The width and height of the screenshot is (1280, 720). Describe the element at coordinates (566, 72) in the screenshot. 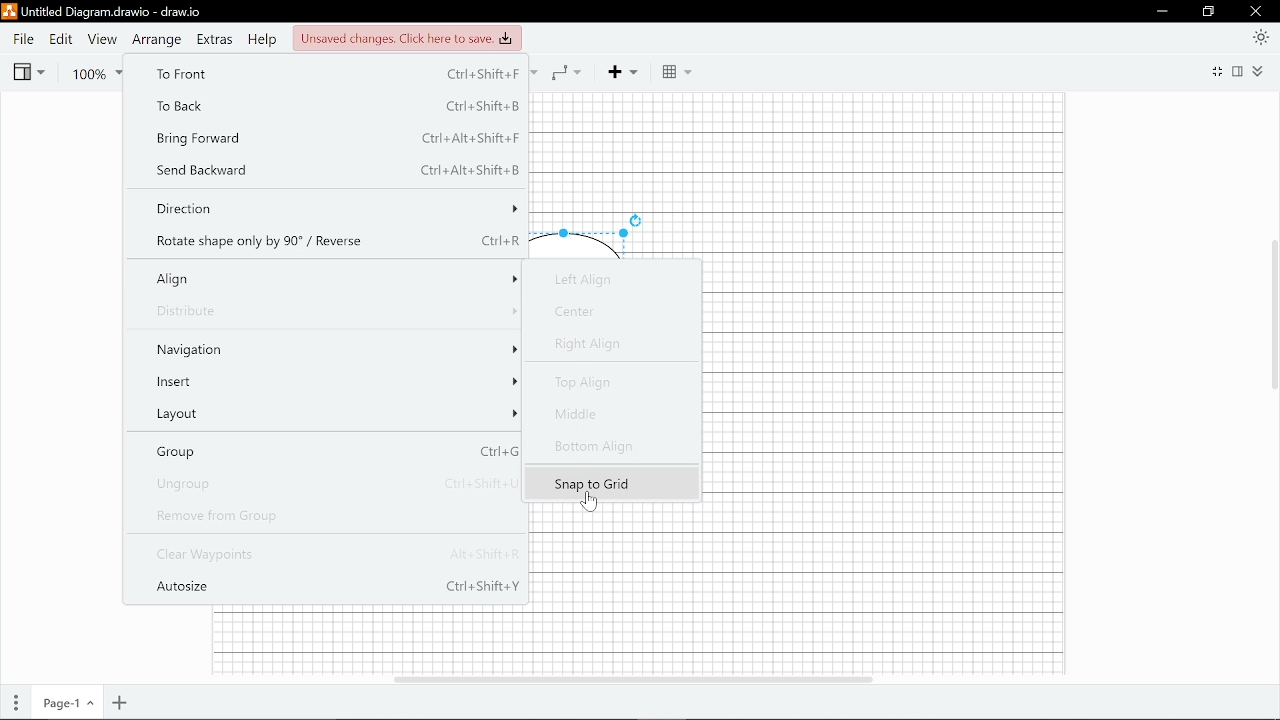

I see `Waypoints` at that location.